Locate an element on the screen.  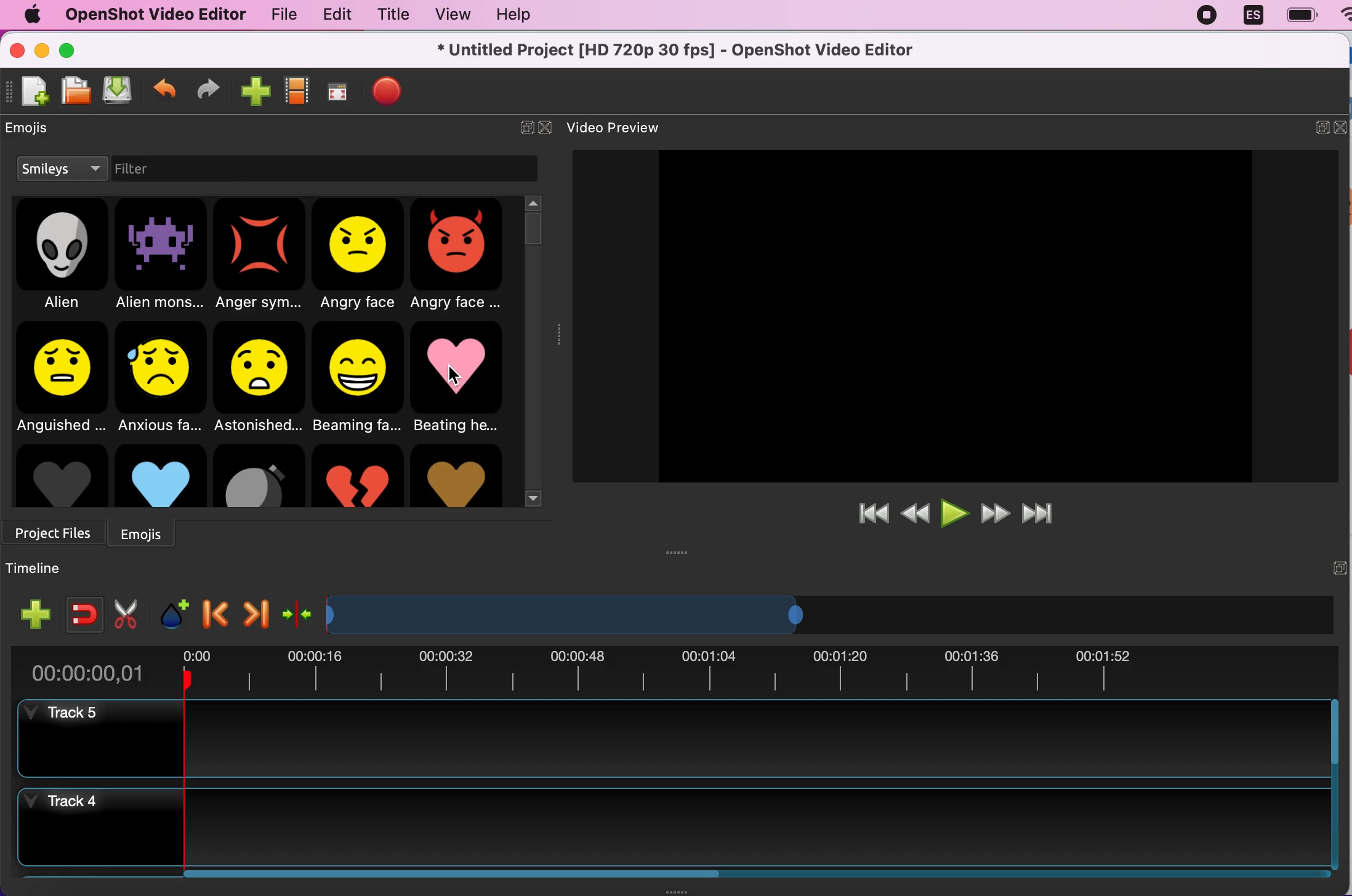
center the timeline is located at coordinates (298, 611).